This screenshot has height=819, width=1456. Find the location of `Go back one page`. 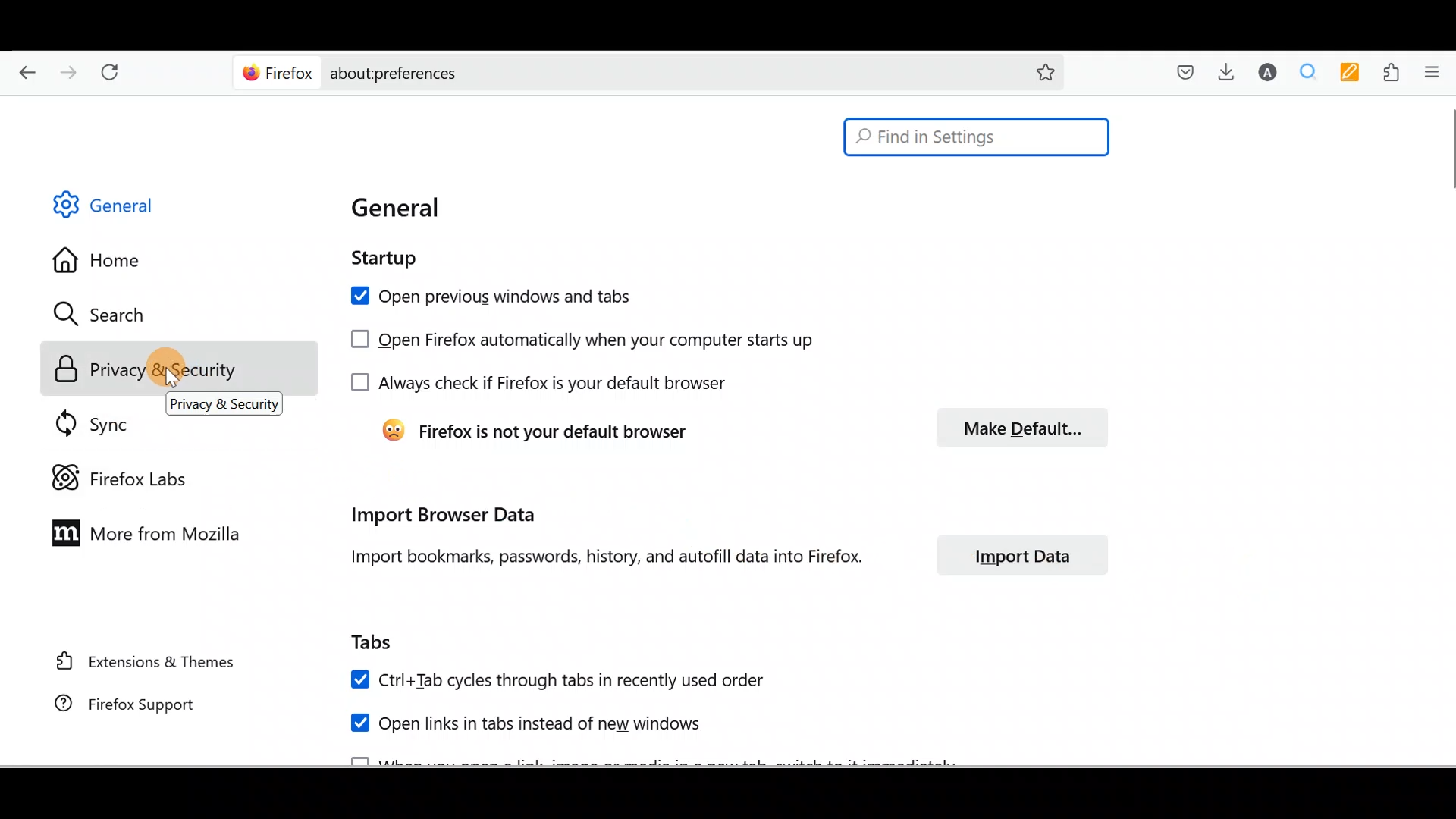

Go back one page is located at coordinates (26, 72).